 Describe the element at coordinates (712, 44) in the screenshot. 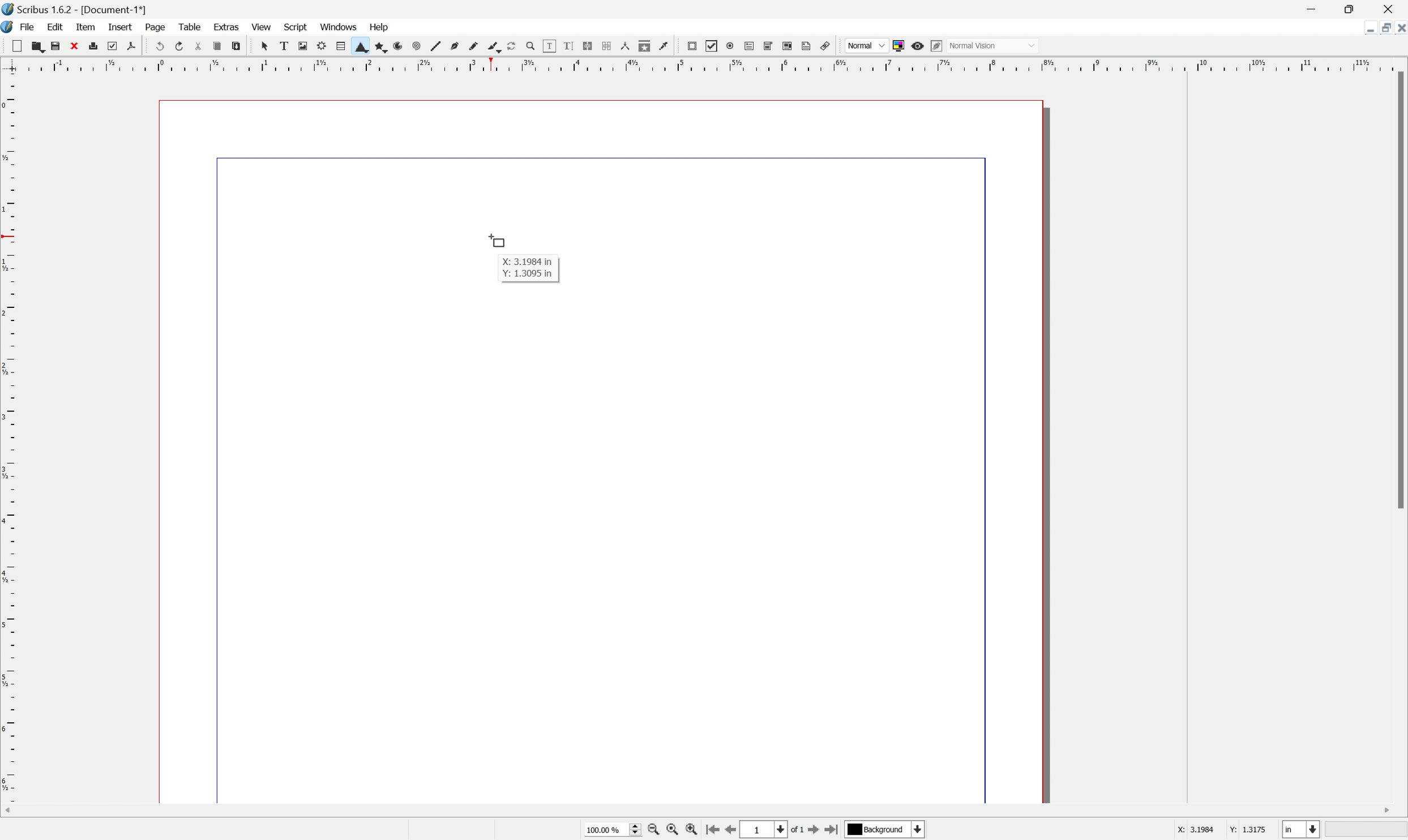

I see `PDF checkbox` at that location.